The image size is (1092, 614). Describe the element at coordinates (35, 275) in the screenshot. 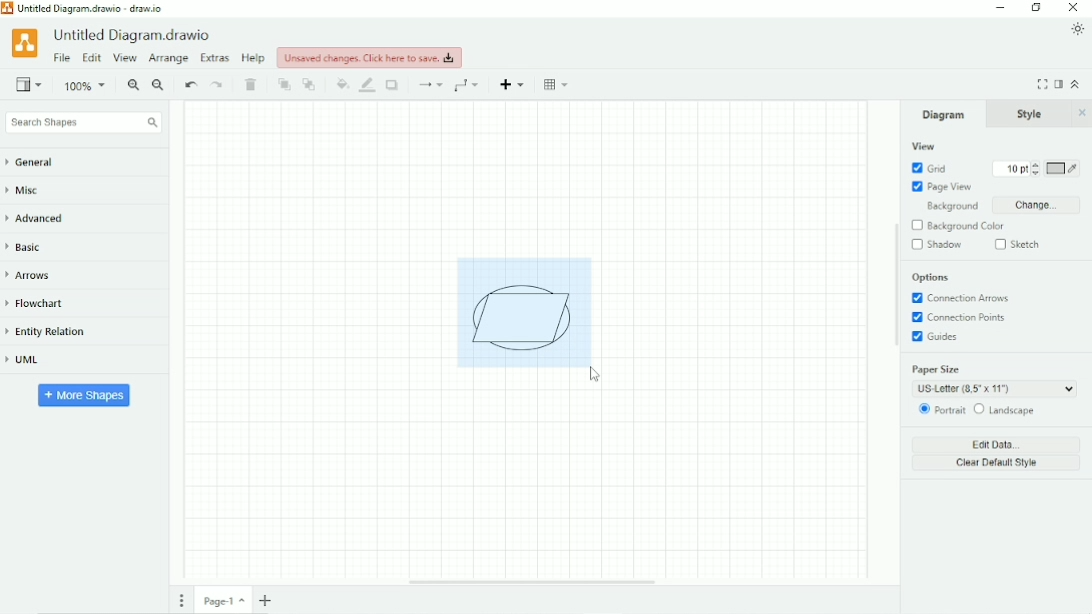

I see `Arrows` at that location.